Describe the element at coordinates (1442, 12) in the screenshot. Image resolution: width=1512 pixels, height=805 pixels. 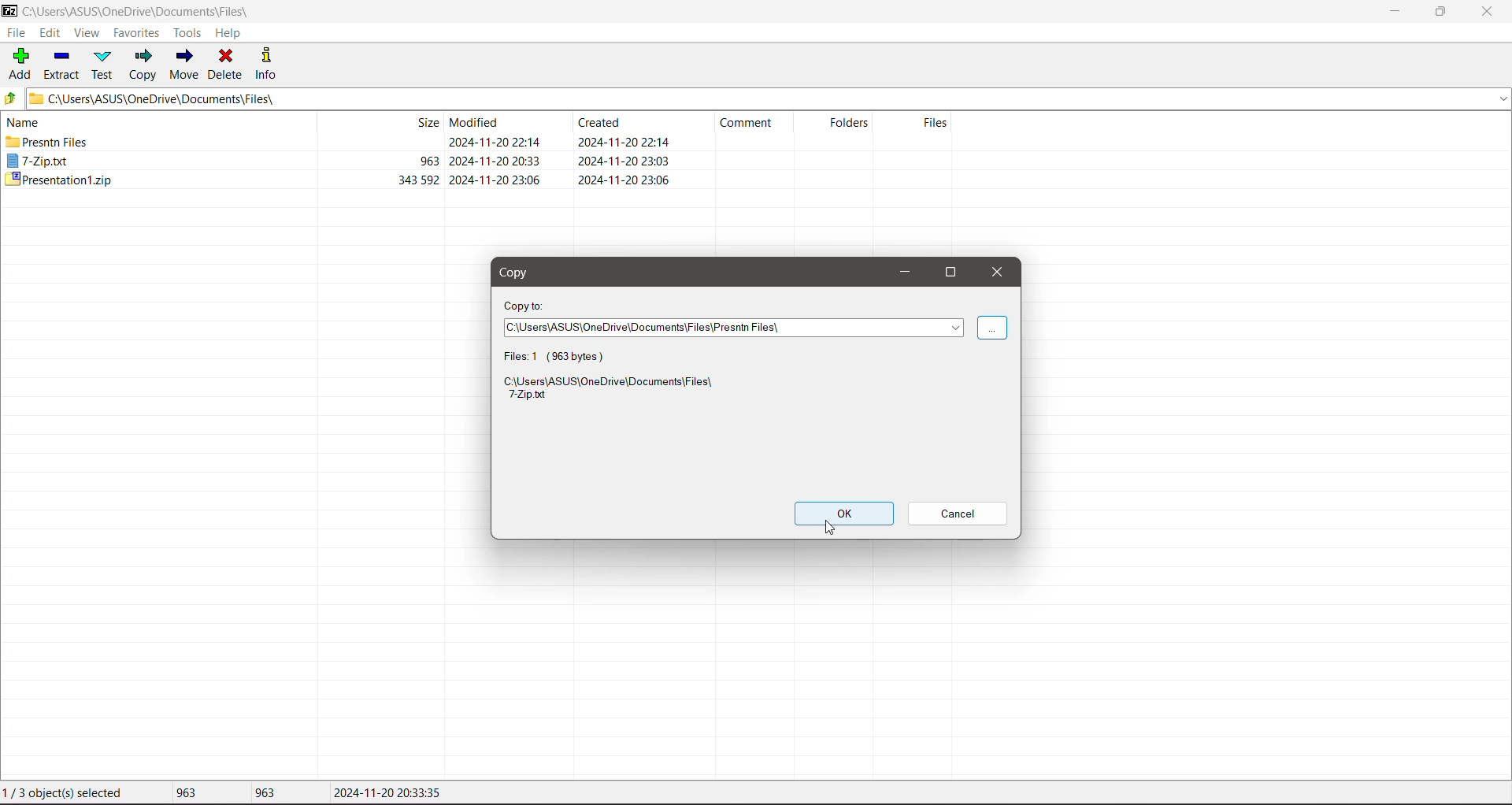
I see `Restore Down` at that location.